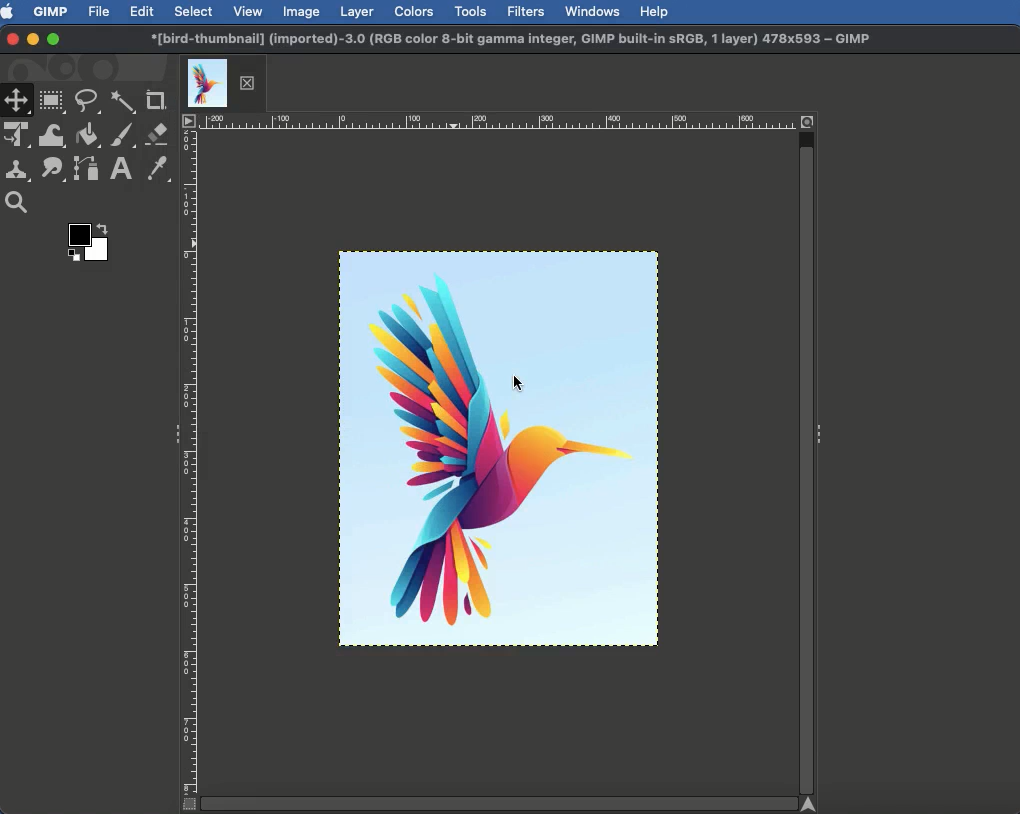 The image size is (1020, 814). I want to click on View, so click(249, 10).